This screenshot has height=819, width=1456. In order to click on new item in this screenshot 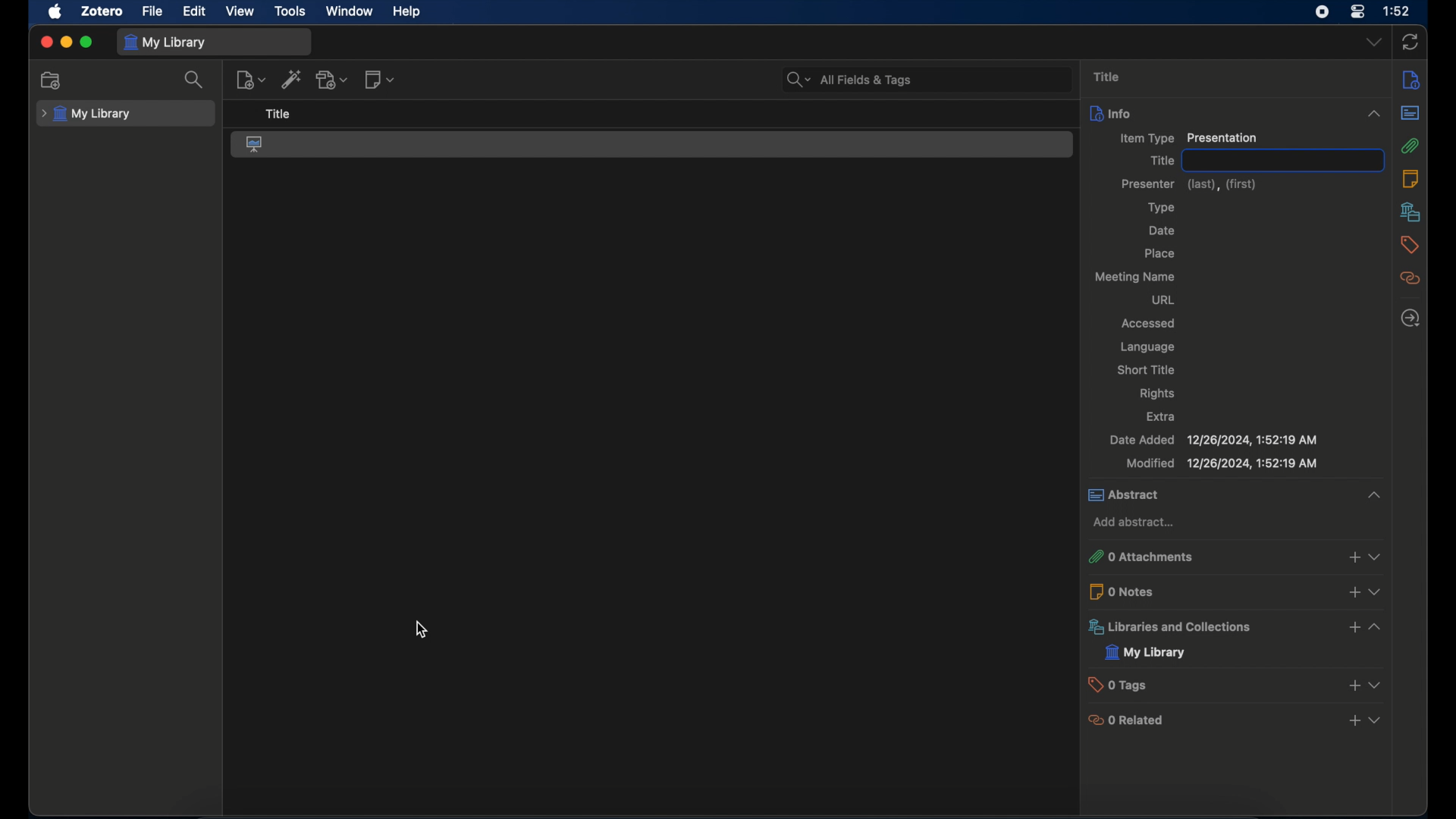, I will do `click(249, 80)`.